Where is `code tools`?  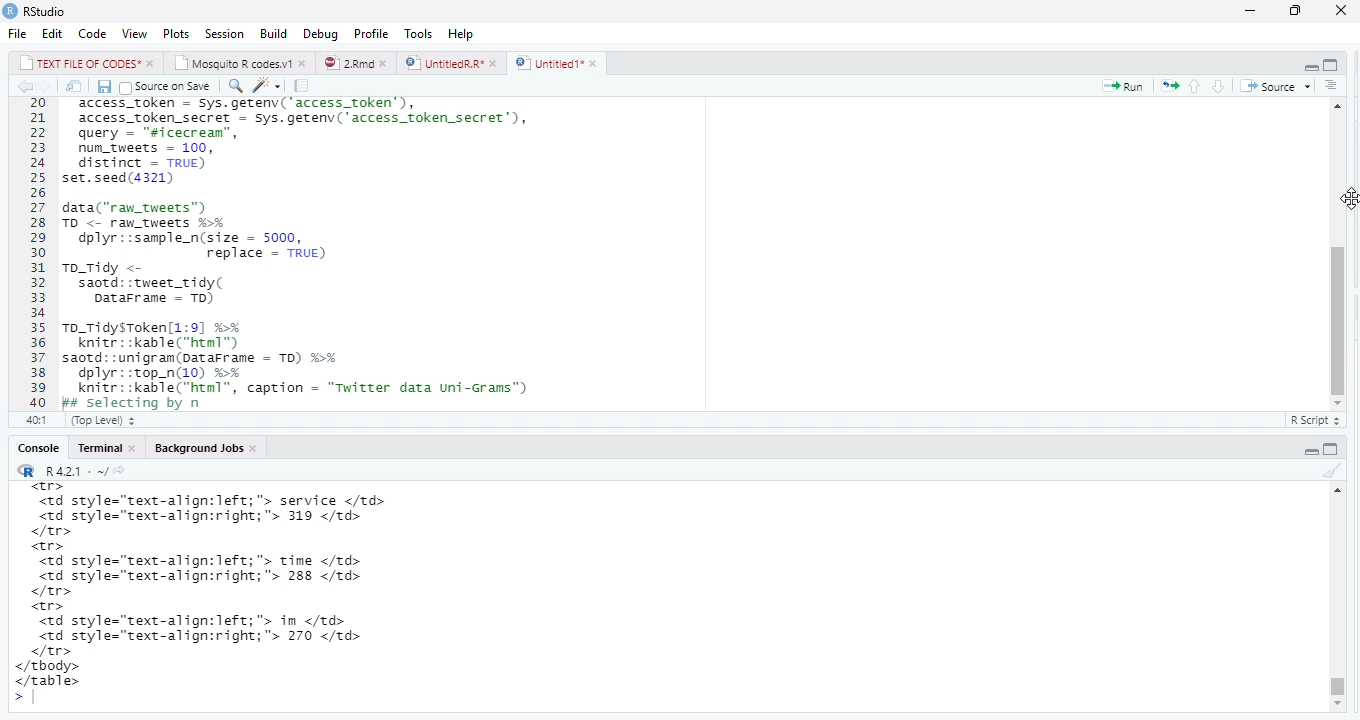 code tools is located at coordinates (271, 85).